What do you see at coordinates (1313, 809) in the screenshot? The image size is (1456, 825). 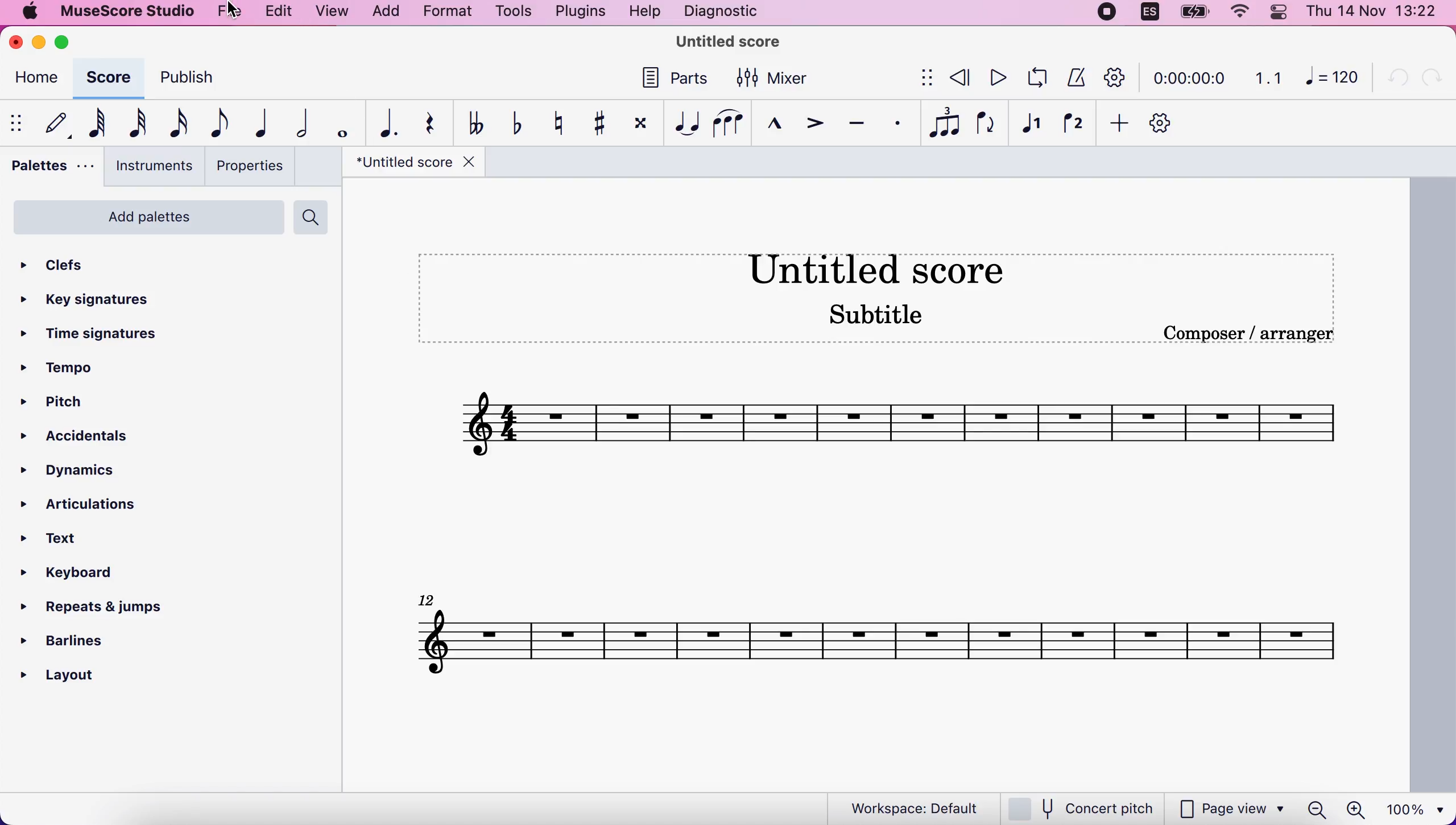 I see `zoom out` at bounding box center [1313, 809].